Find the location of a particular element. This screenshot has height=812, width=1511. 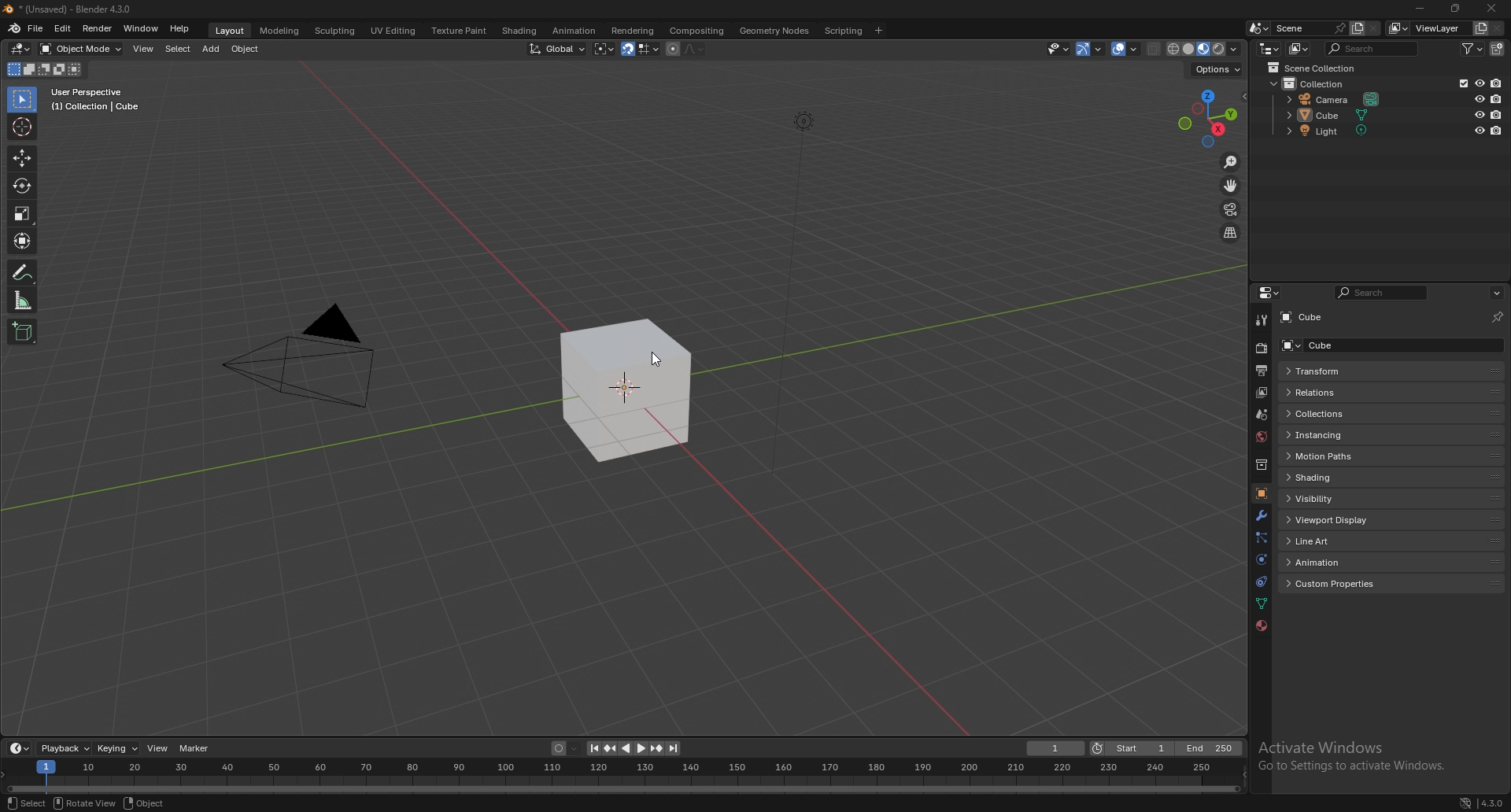

scale is located at coordinates (23, 212).